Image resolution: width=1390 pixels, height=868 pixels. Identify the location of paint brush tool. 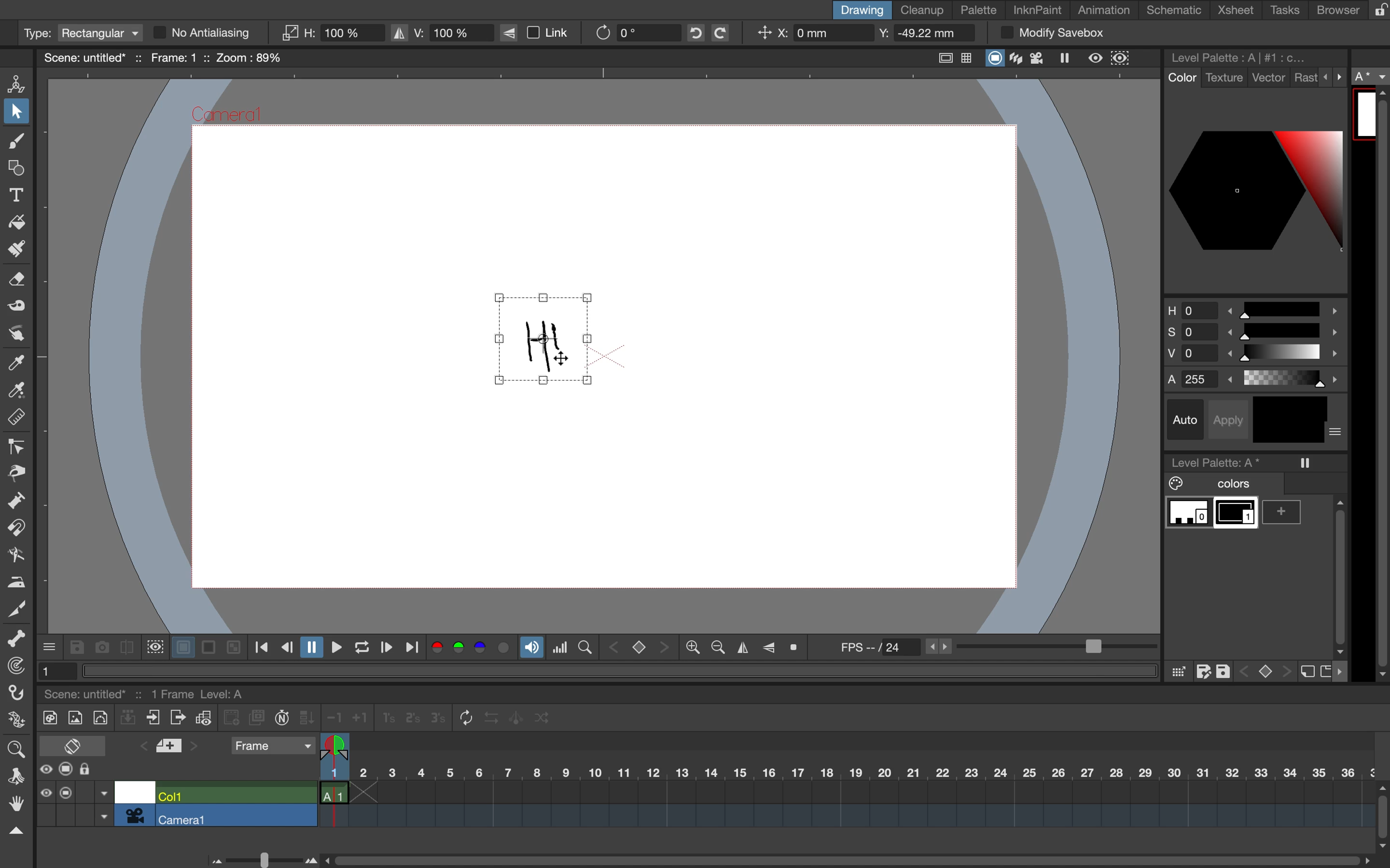
(13, 251).